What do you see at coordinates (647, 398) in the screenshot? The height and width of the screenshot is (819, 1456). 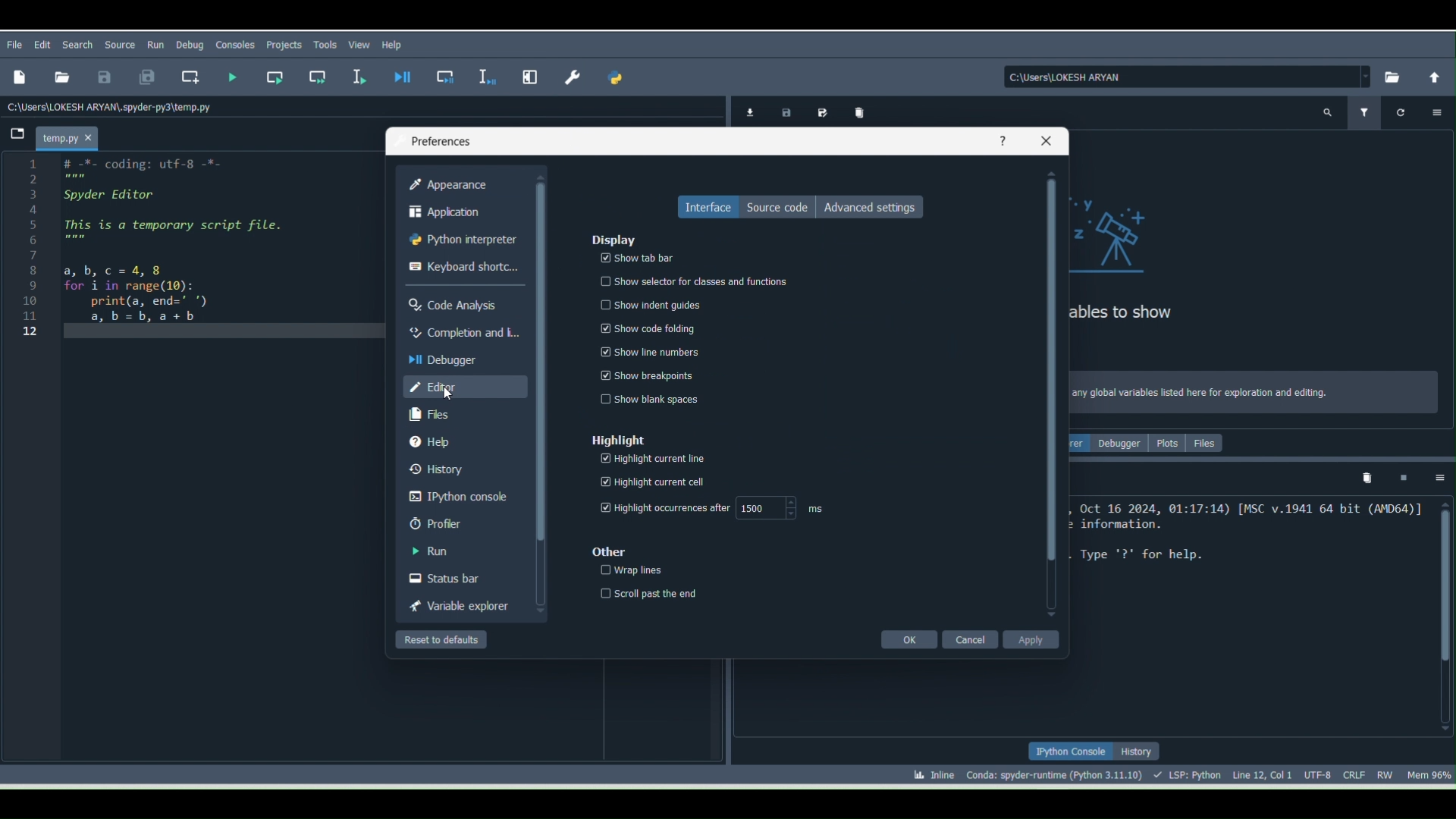 I see `Show blank spaces` at bounding box center [647, 398].